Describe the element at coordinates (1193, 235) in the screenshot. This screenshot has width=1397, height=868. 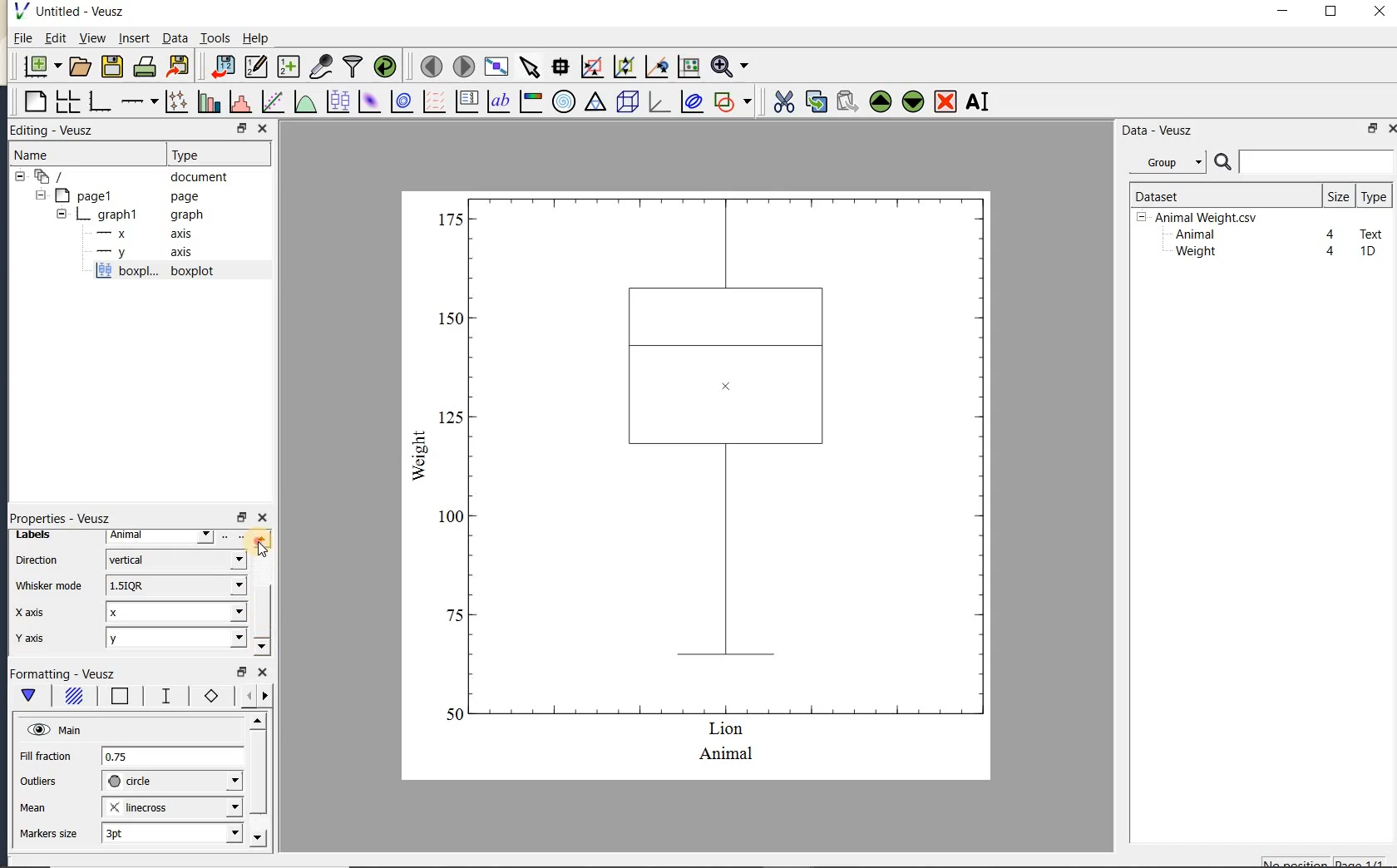
I see `Animal` at that location.